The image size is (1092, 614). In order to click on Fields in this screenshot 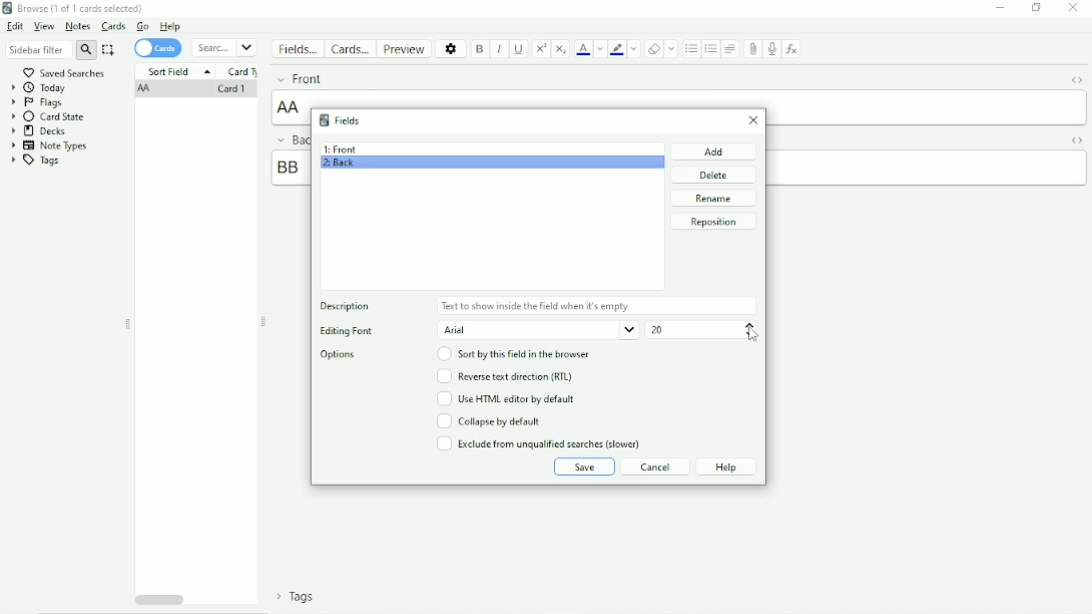, I will do `click(297, 49)`.